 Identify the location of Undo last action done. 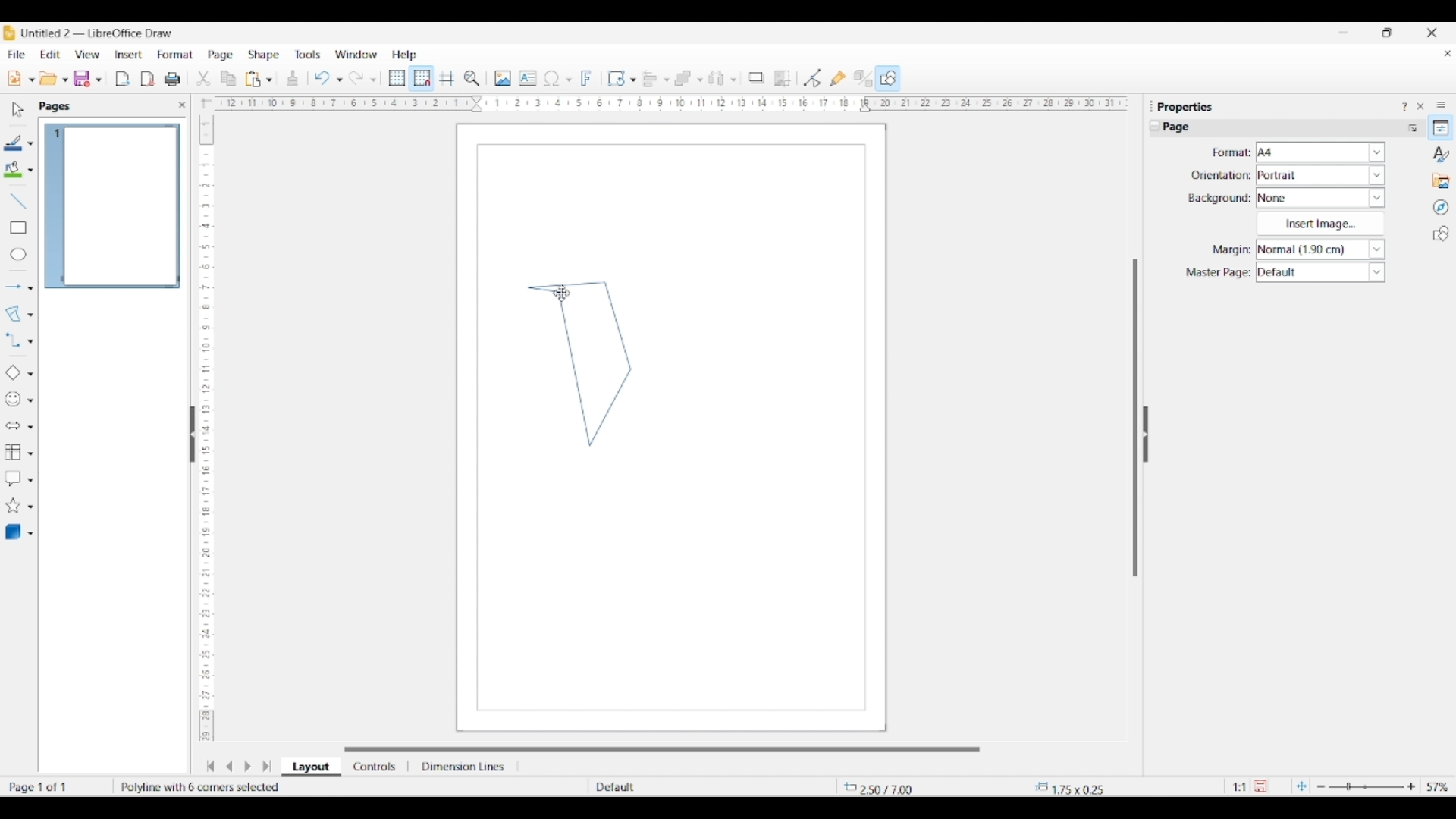
(322, 77).